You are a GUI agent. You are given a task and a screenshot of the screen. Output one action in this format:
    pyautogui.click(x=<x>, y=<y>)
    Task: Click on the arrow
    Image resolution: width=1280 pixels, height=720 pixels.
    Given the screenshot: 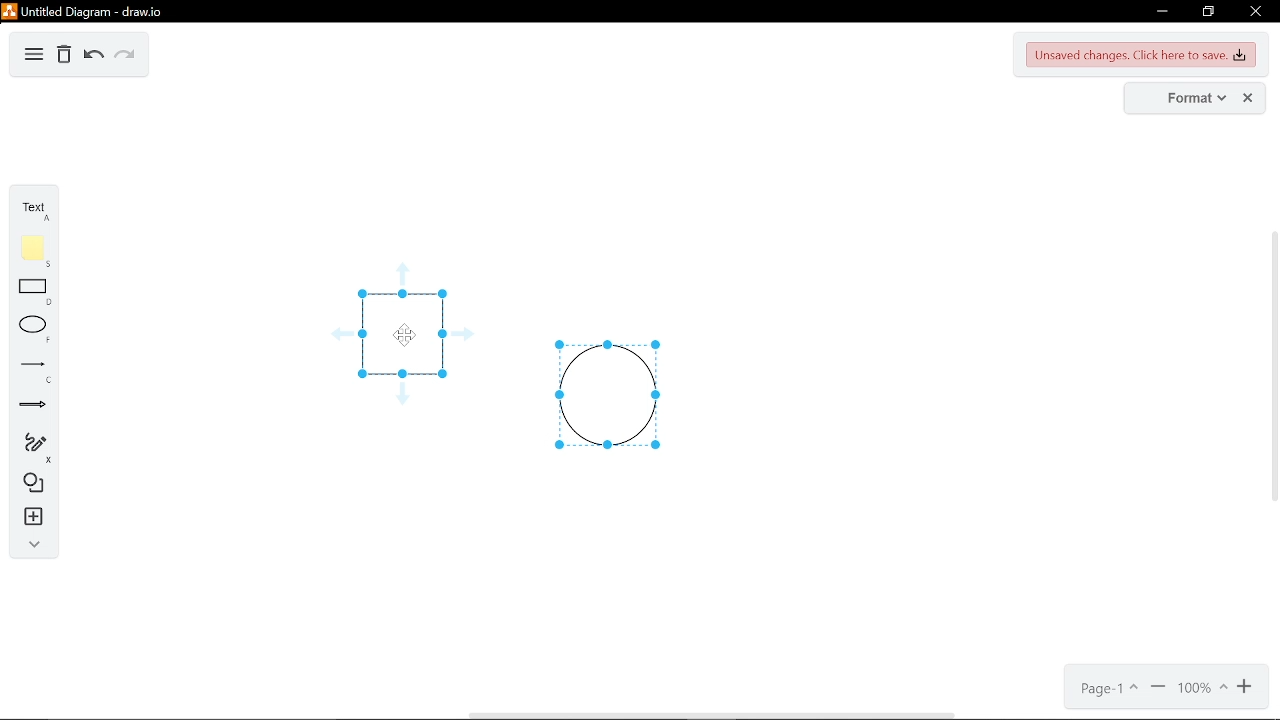 What is the action you would take?
    pyautogui.click(x=30, y=405)
    